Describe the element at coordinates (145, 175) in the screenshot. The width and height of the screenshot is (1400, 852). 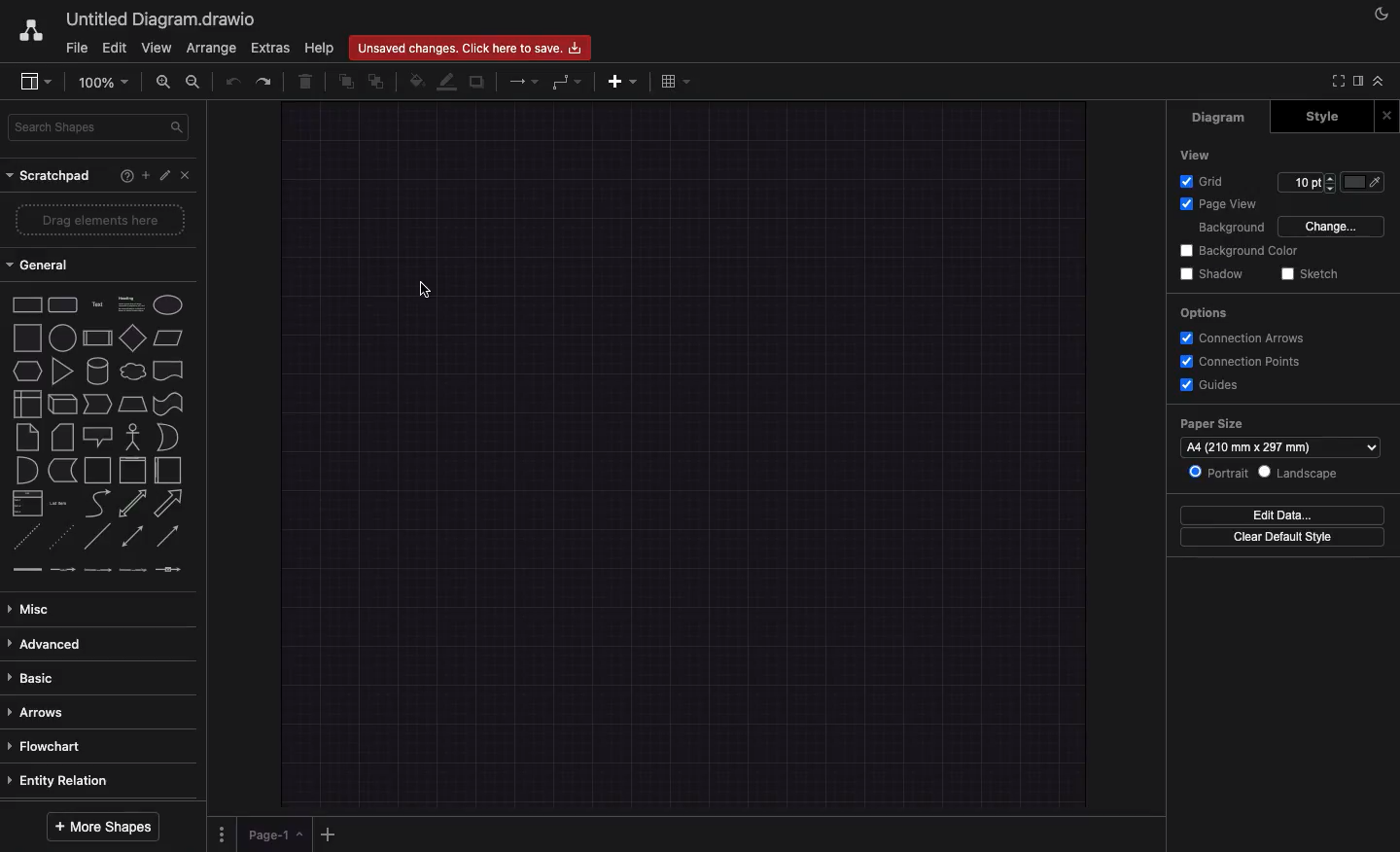
I see `Add` at that location.